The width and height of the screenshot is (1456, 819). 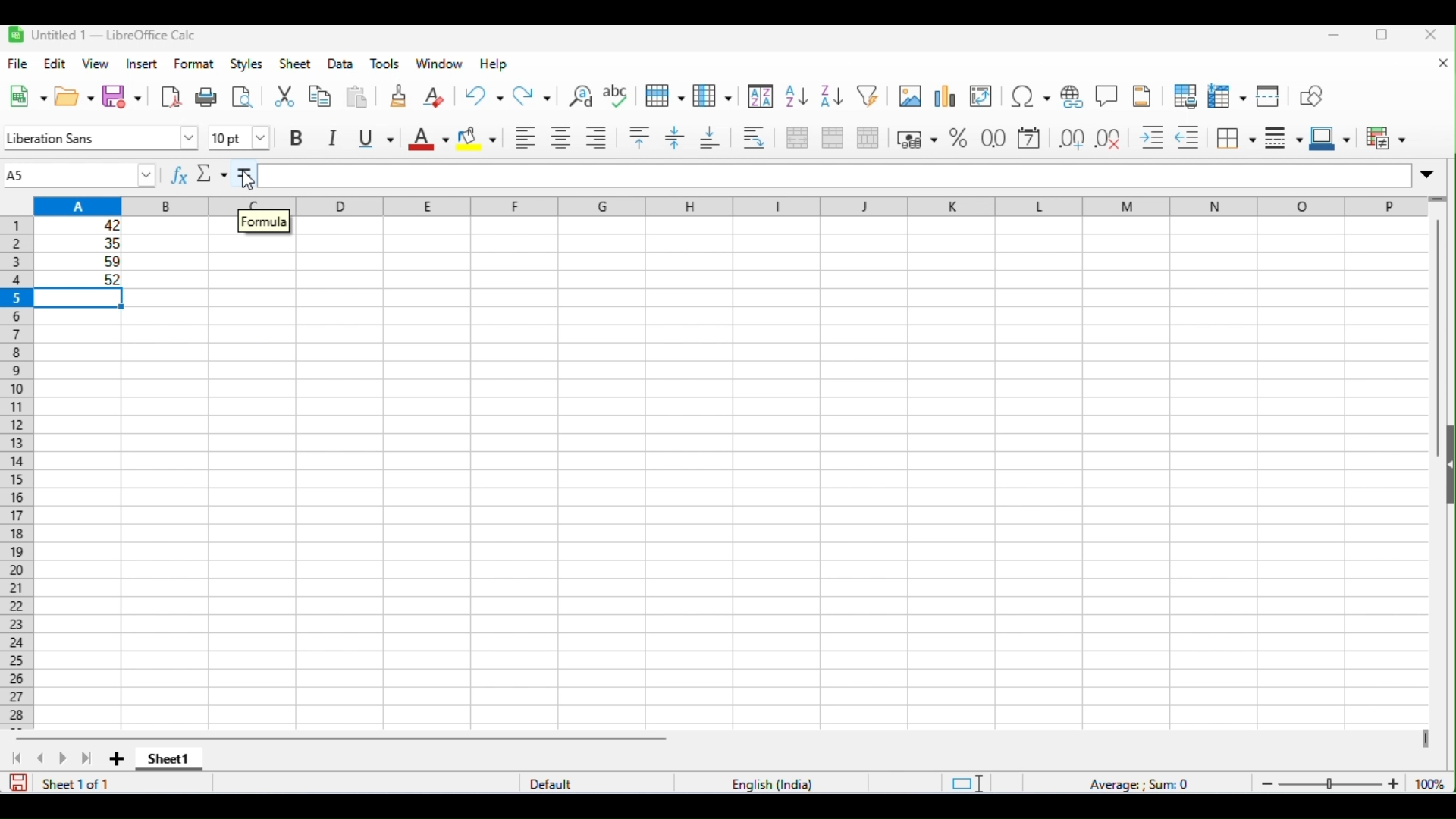 What do you see at coordinates (17, 783) in the screenshot?
I see `save` at bounding box center [17, 783].